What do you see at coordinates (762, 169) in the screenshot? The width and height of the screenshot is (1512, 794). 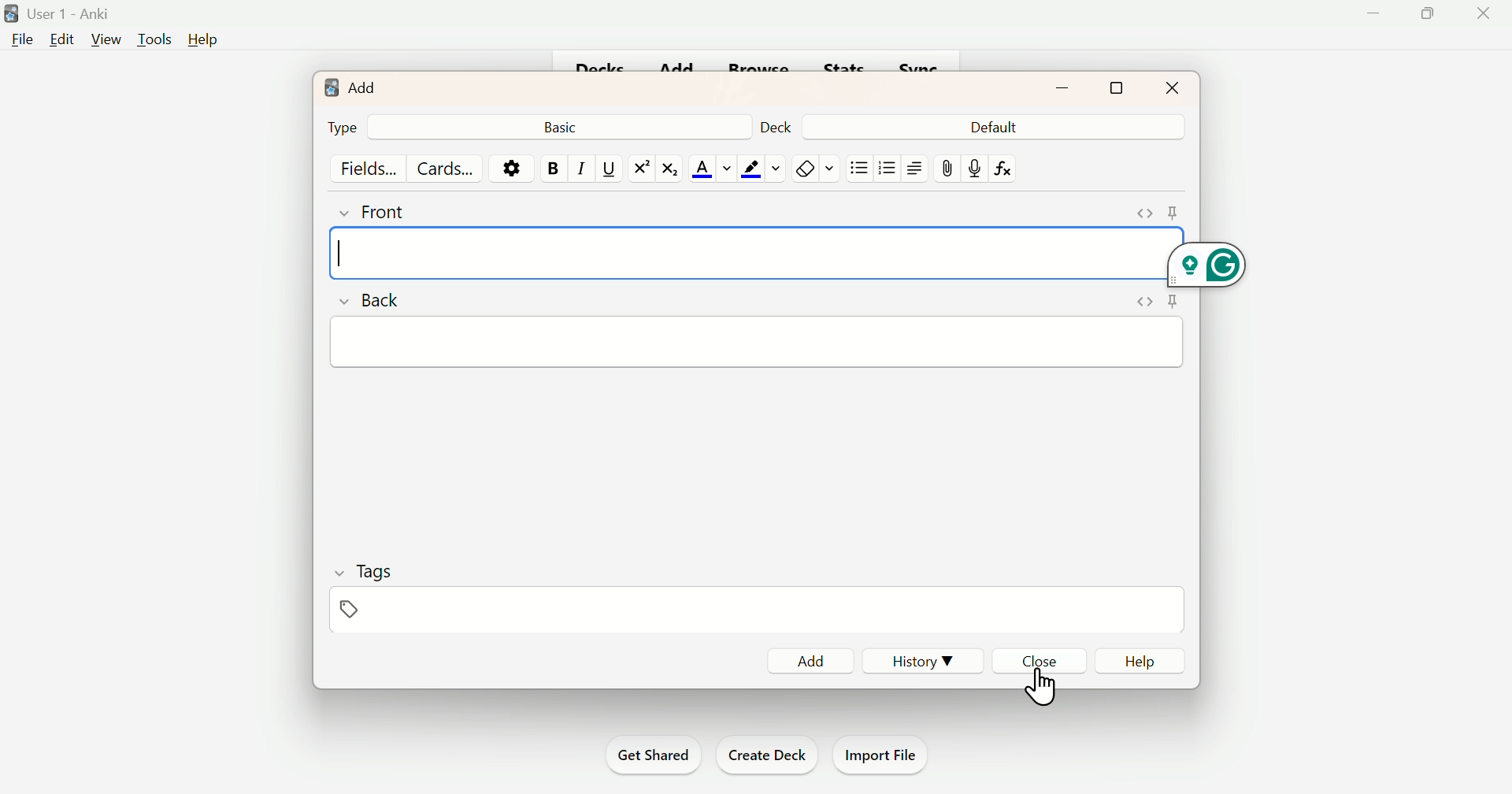 I see `Text Highlighting Color` at bounding box center [762, 169].